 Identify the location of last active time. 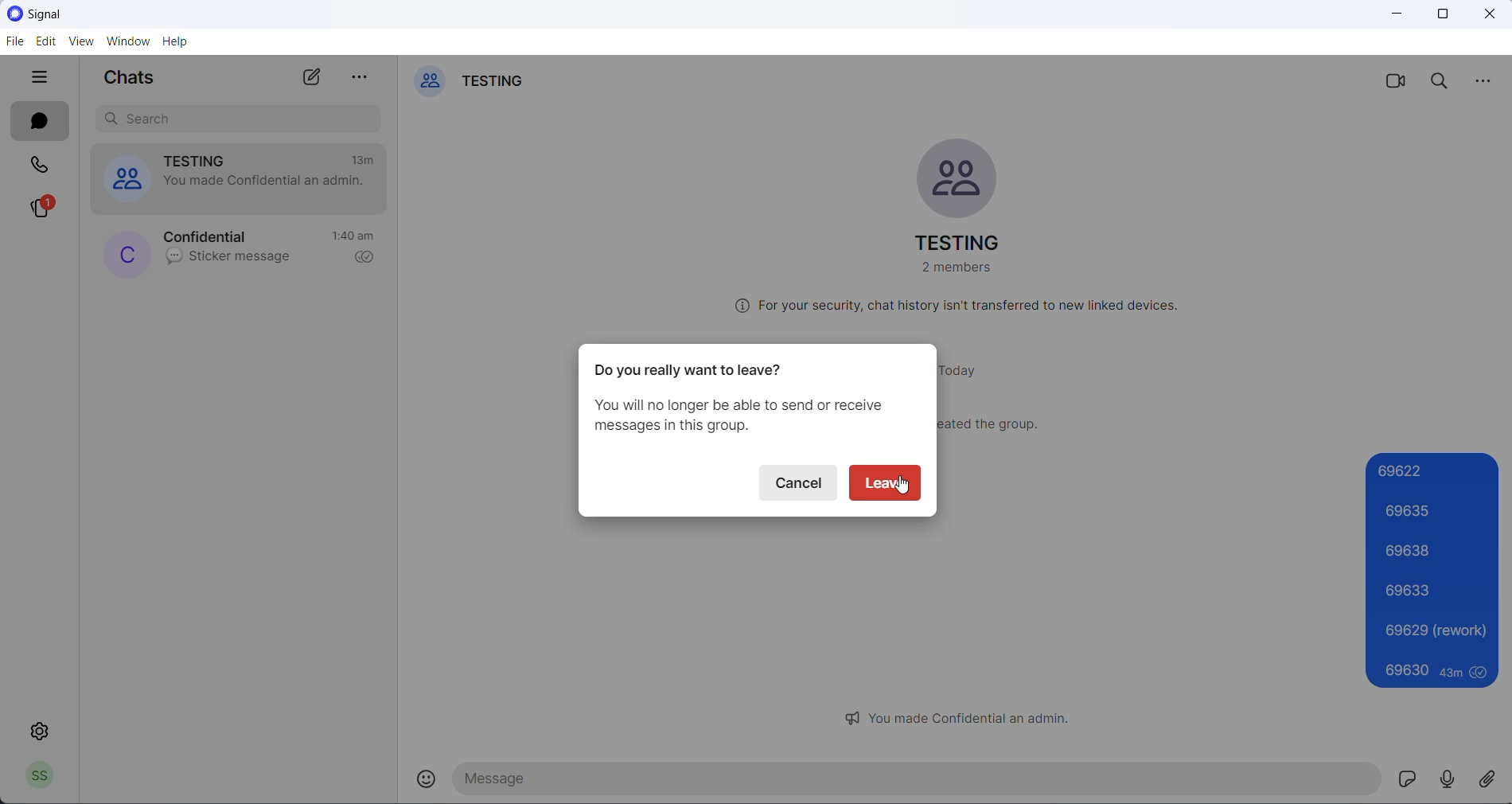
(367, 159).